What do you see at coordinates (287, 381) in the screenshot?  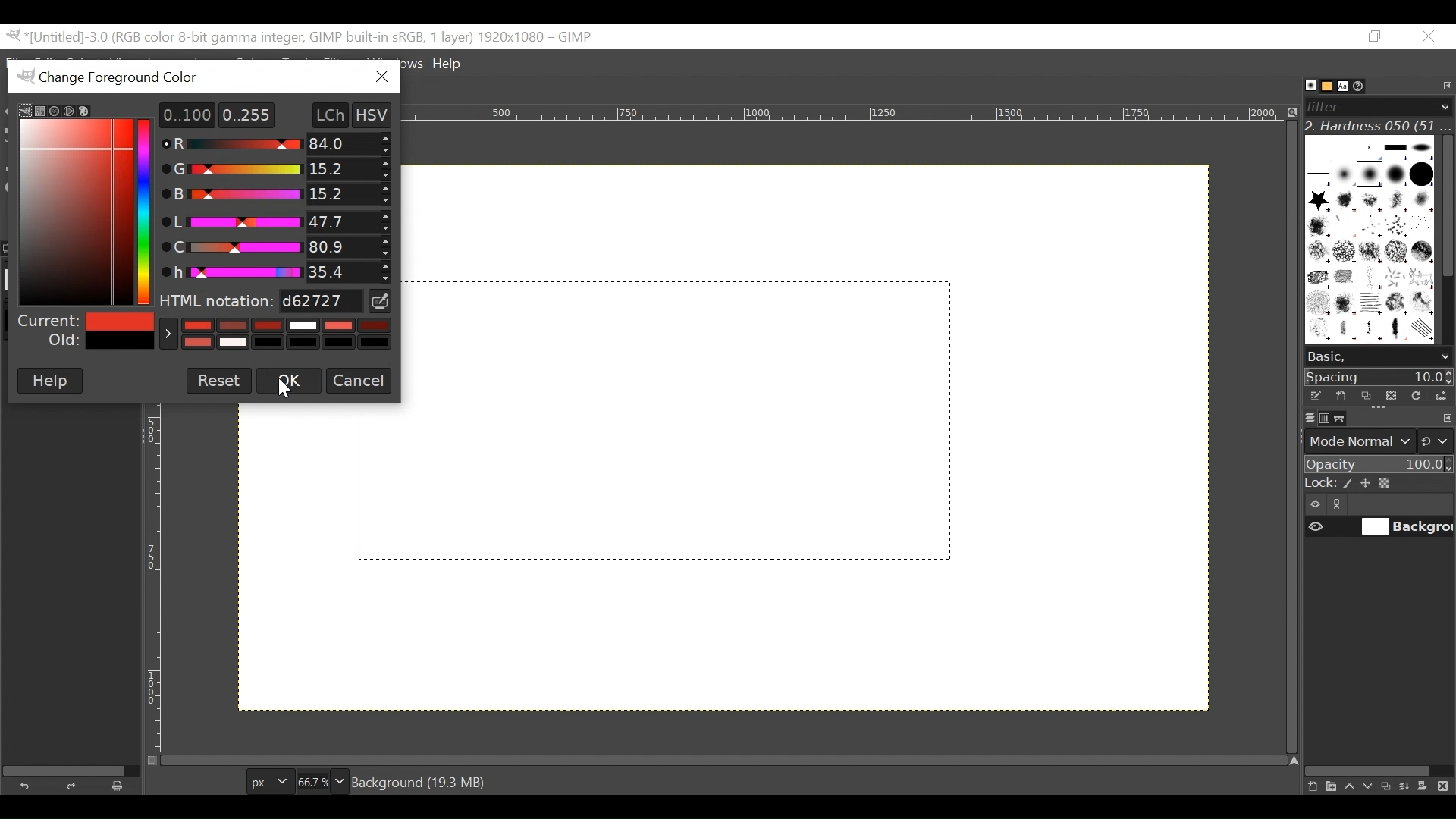 I see `OK` at bounding box center [287, 381].